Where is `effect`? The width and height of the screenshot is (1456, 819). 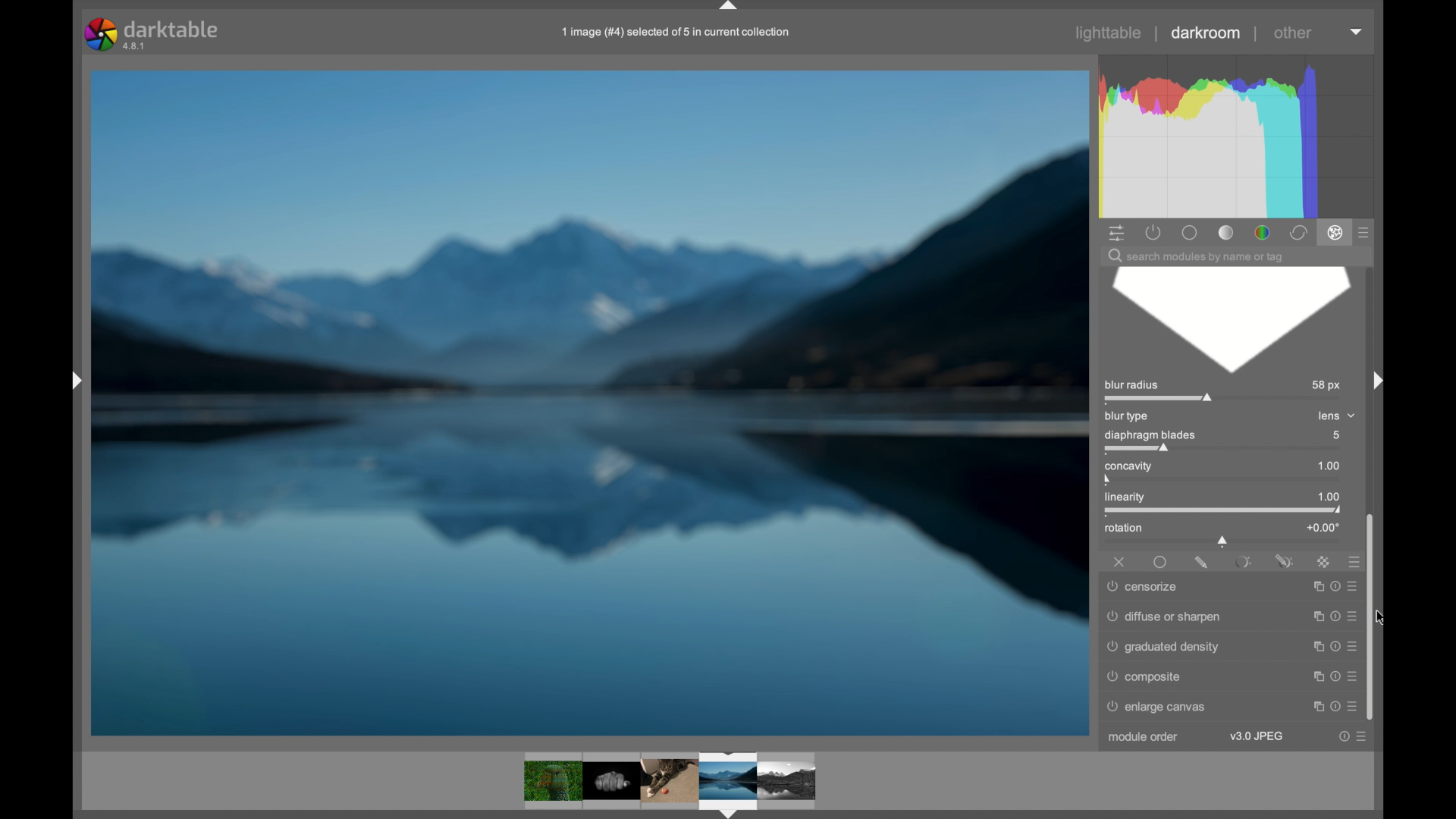 effect is located at coordinates (1335, 234).